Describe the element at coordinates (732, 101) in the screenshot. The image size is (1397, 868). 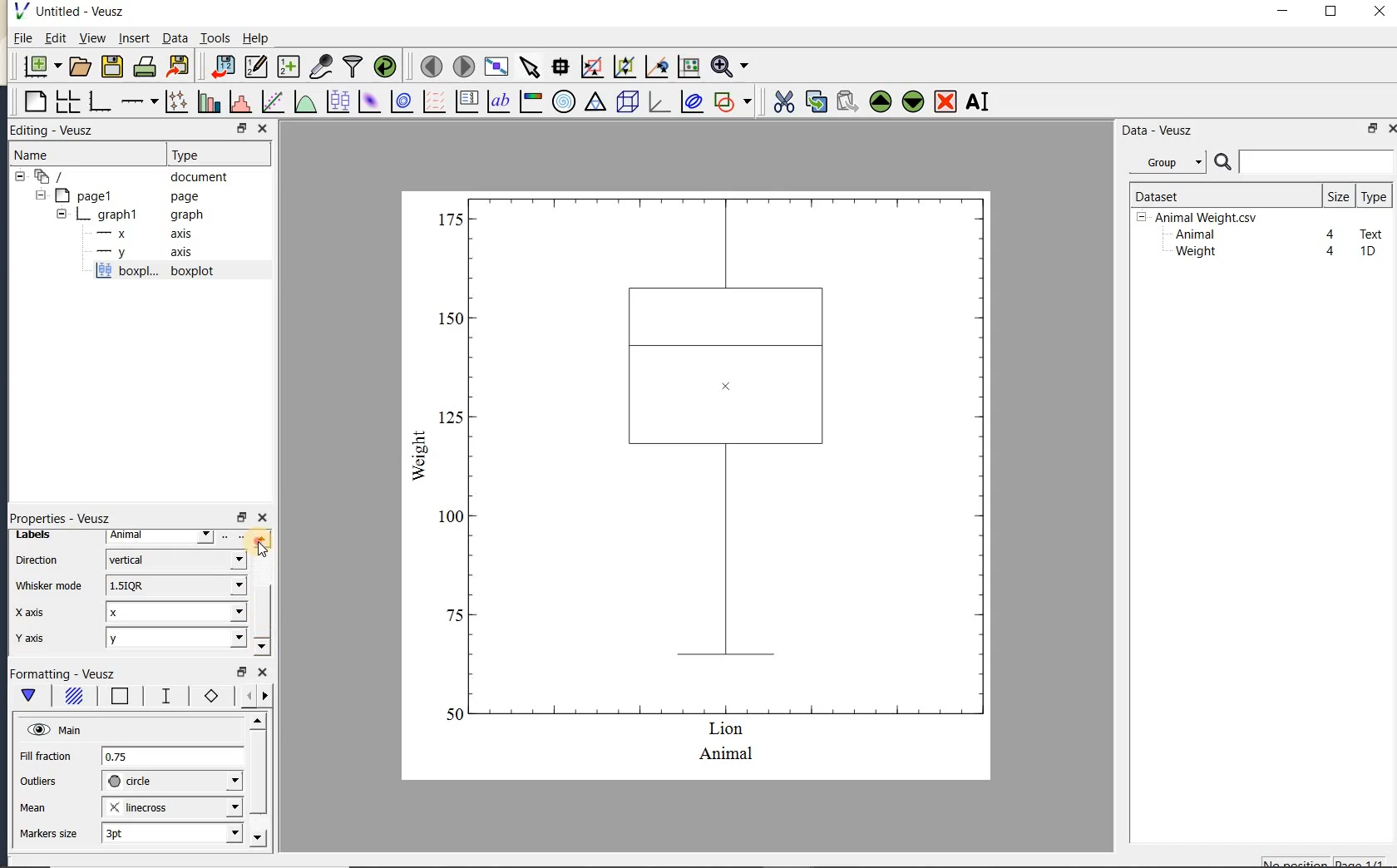
I see `add a shape to the plot` at that location.